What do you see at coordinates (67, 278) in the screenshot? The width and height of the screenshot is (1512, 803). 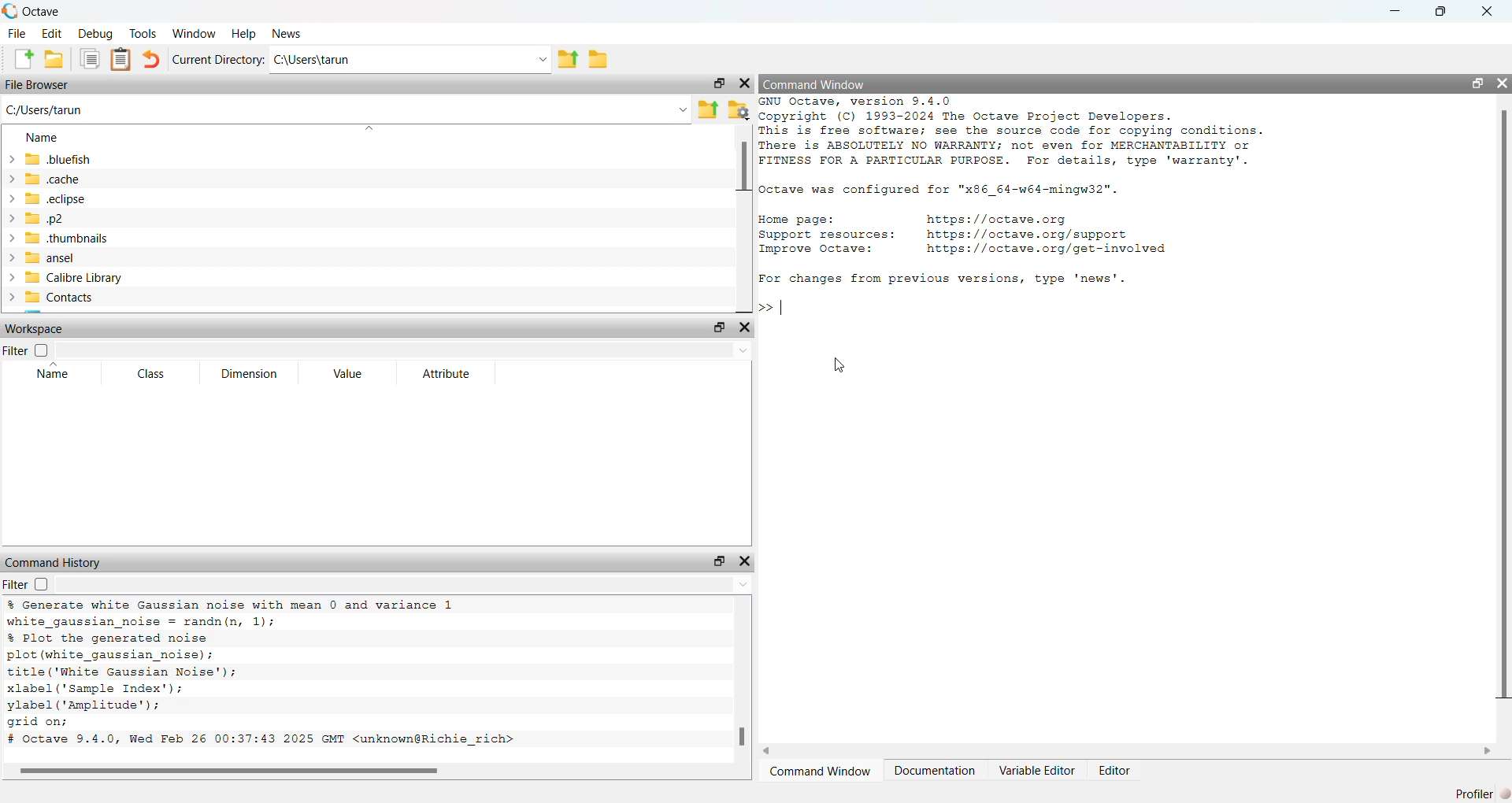 I see ` Calibre Library` at bounding box center [67, 278].